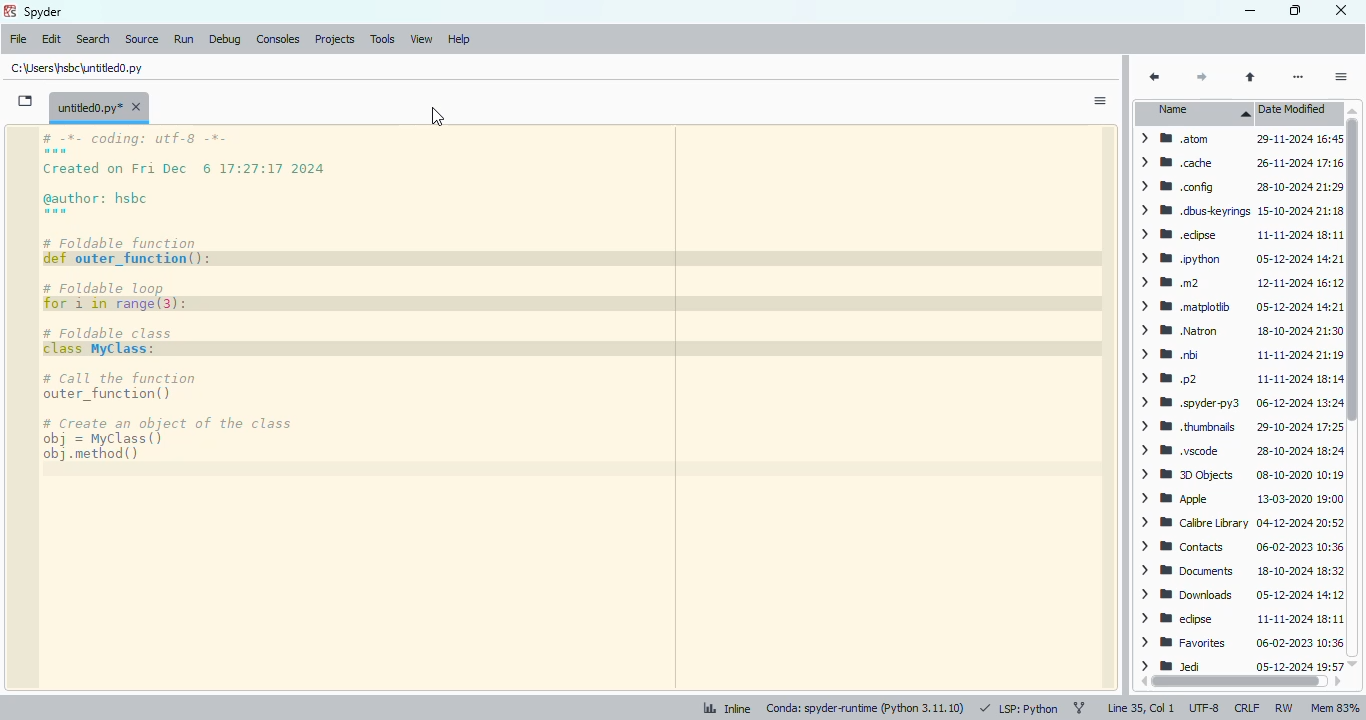  Describe the element at coordinates (1298, 401) in the screenshot. I see `modified date & time` at that location.